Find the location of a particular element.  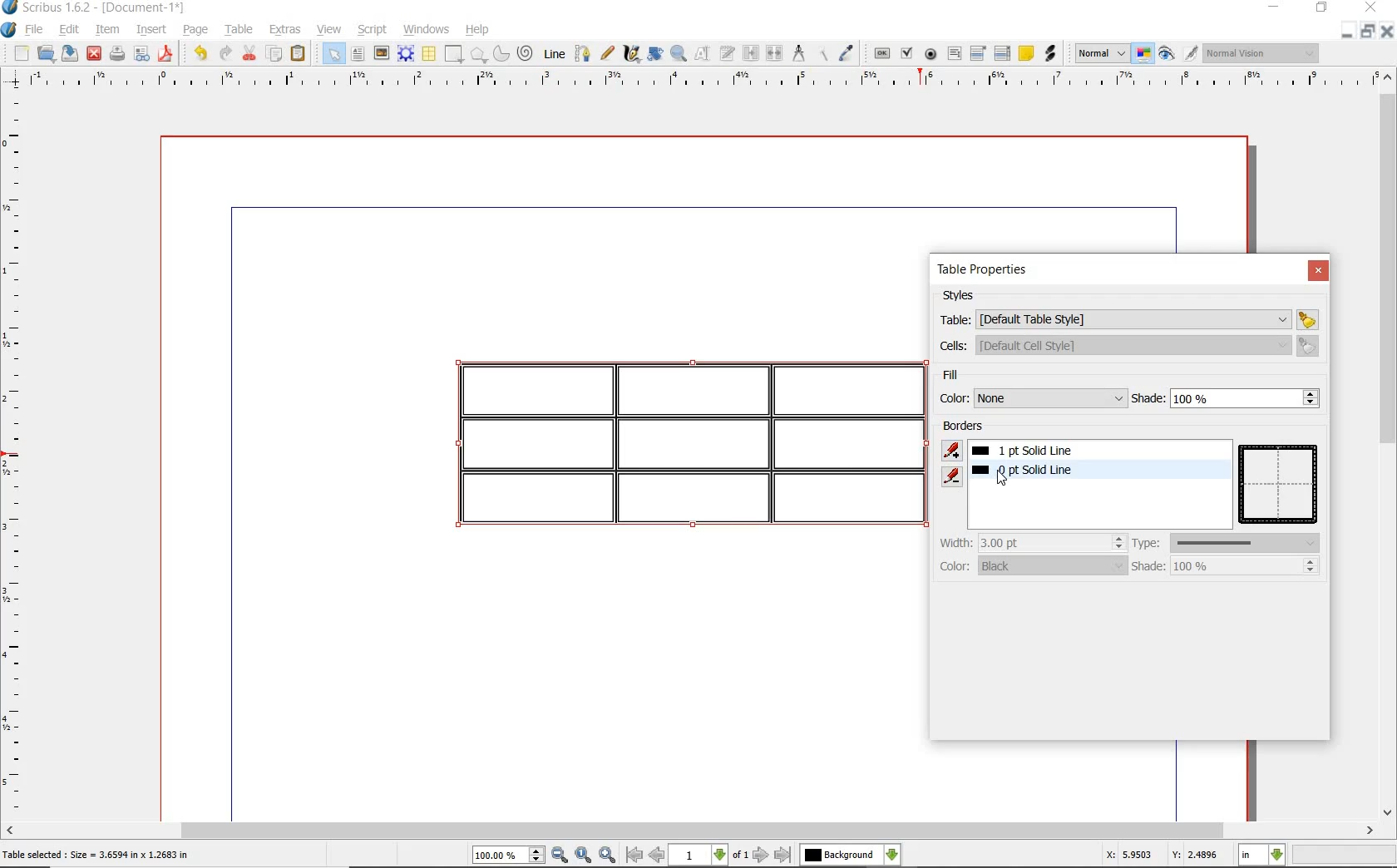

X: 5.9503 Y: 2.4896 is located at coordinates (1160, 856).